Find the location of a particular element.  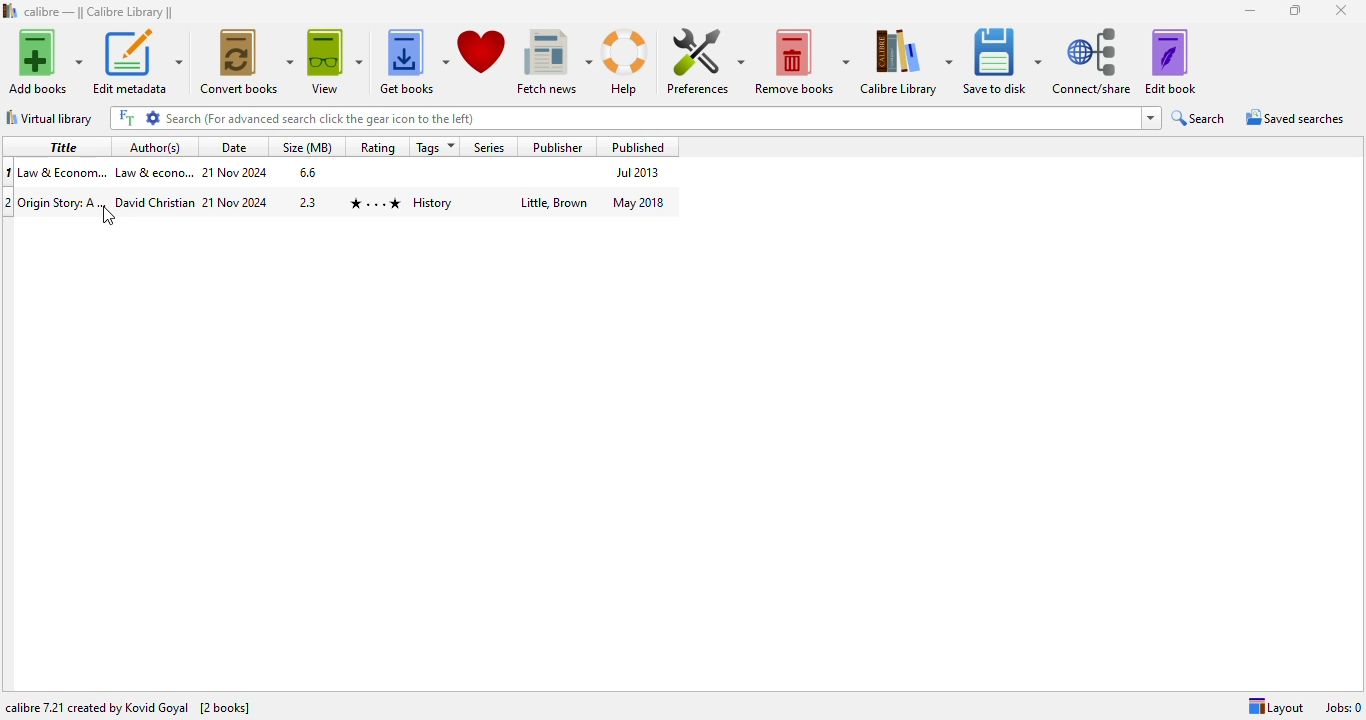

2 is located at coordinates (9, 205).